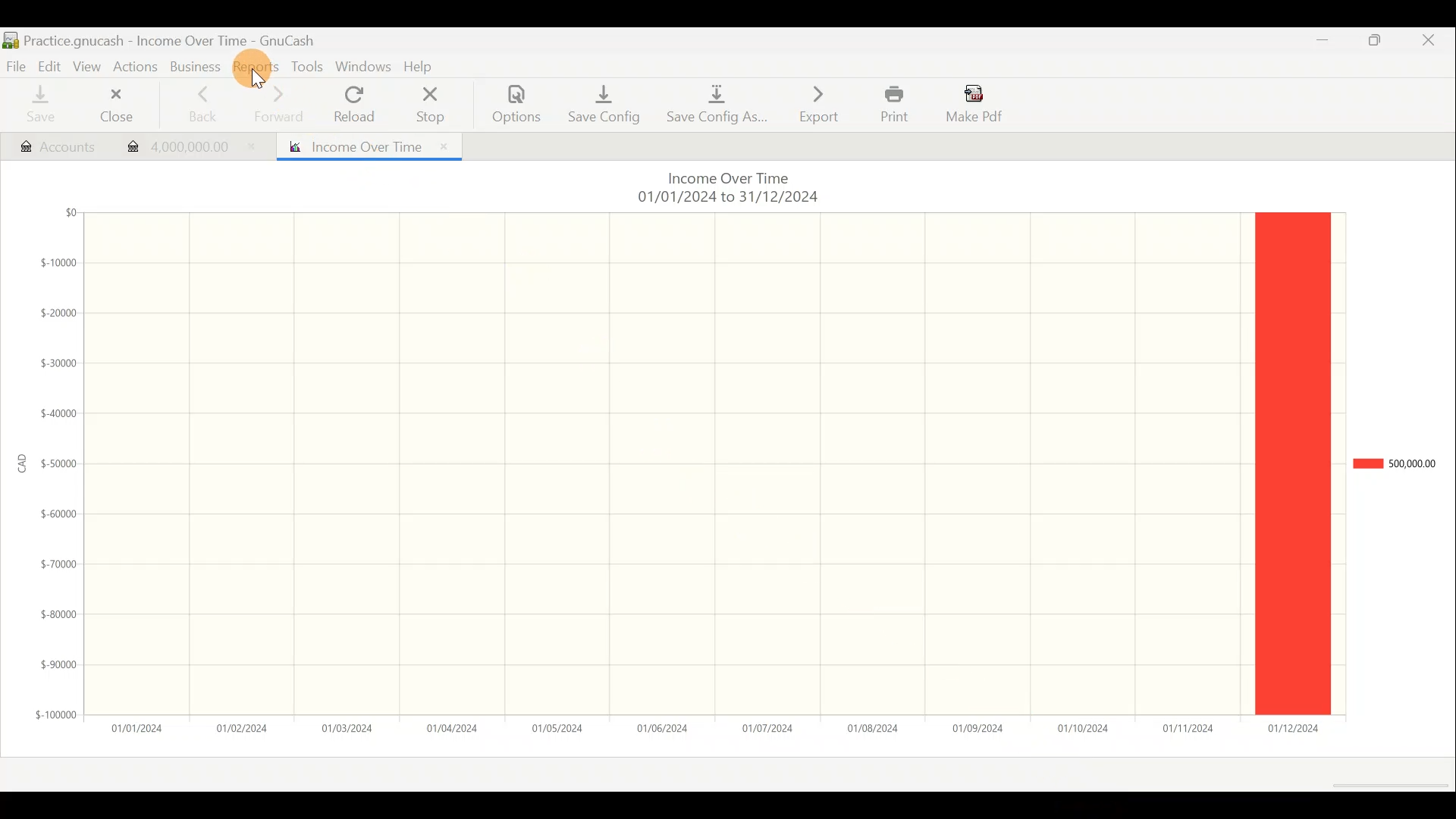 This screenshot has width=1456, height=819. What do you see at coordinates (598, 104) in the screenshot?
I see `Save config` at bounding box center [598, 104].